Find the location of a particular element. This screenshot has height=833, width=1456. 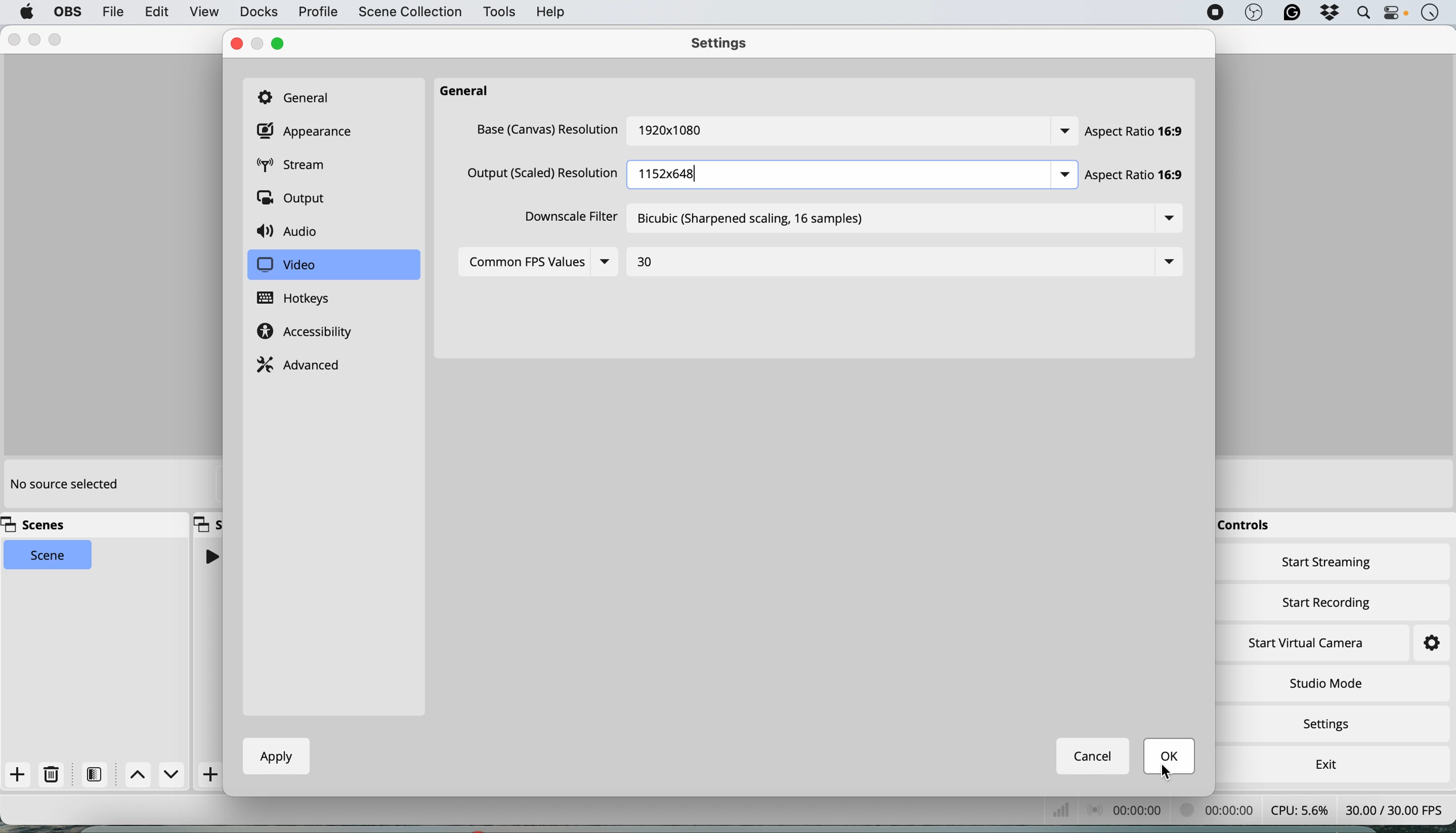

Copy  is located at coordinates (208, 523).